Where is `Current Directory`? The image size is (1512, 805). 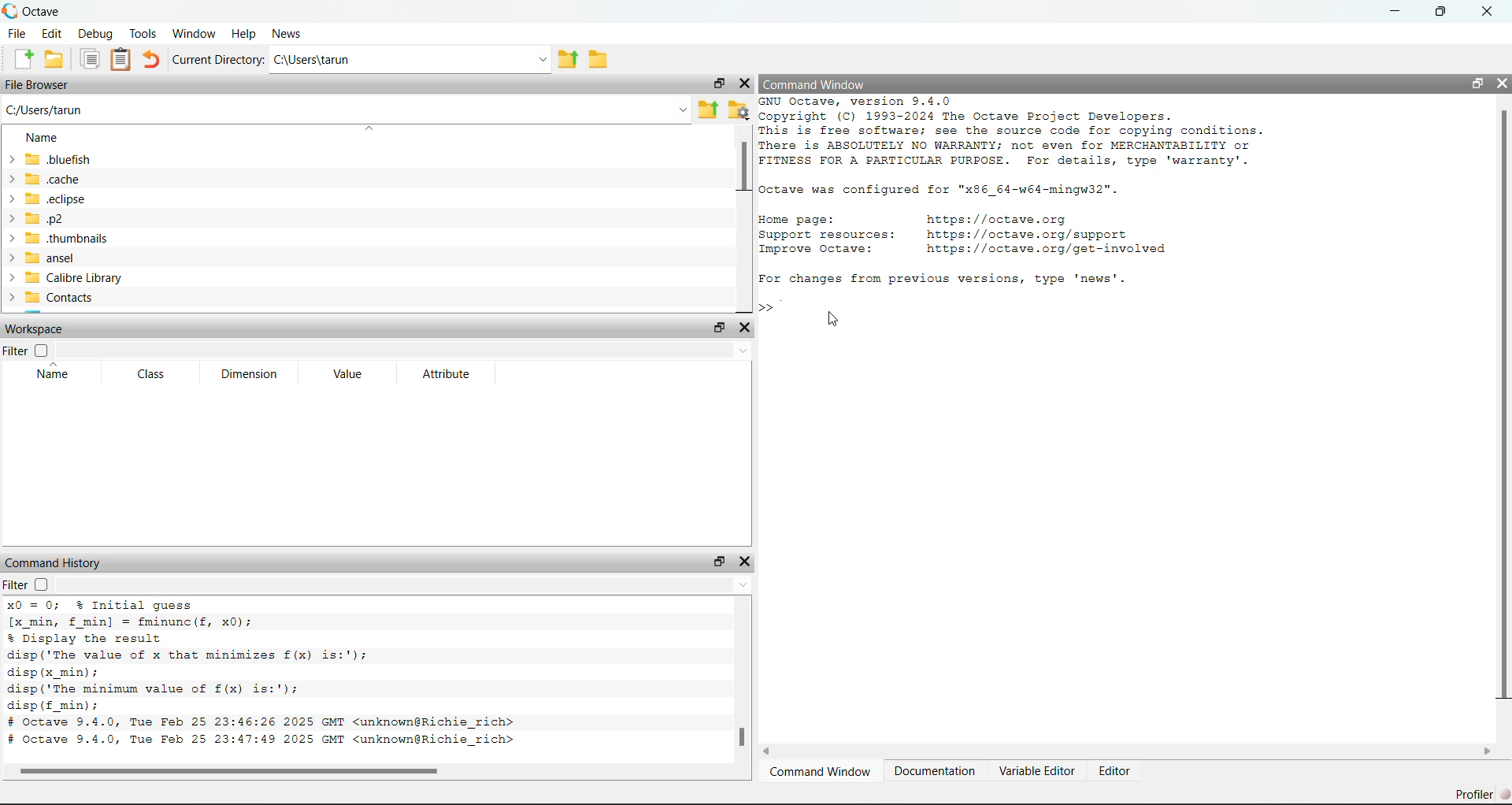
Current Directory is located at coordinates (217, 59).